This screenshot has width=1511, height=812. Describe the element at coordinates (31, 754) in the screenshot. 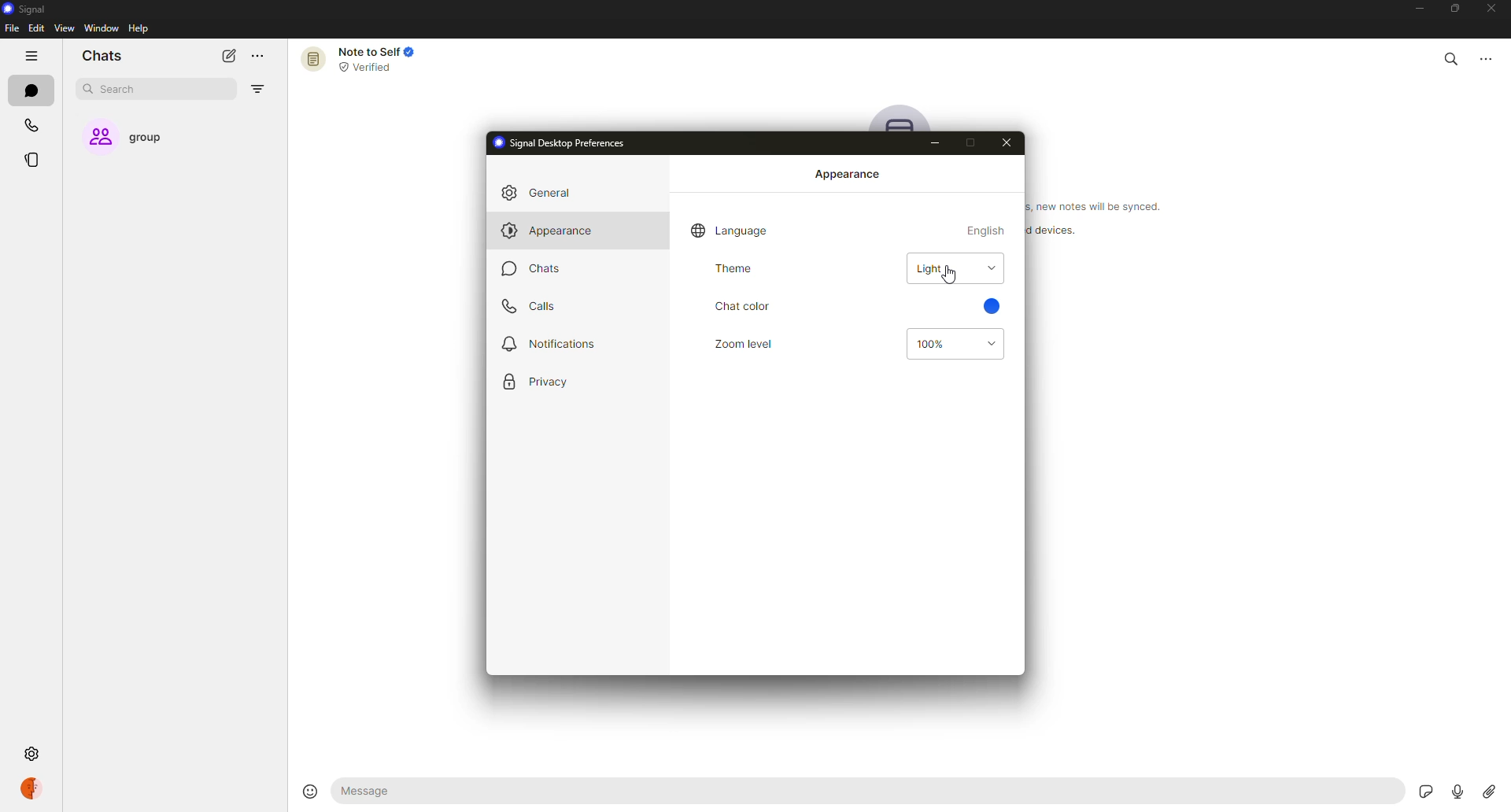

I see `settings` at that location.